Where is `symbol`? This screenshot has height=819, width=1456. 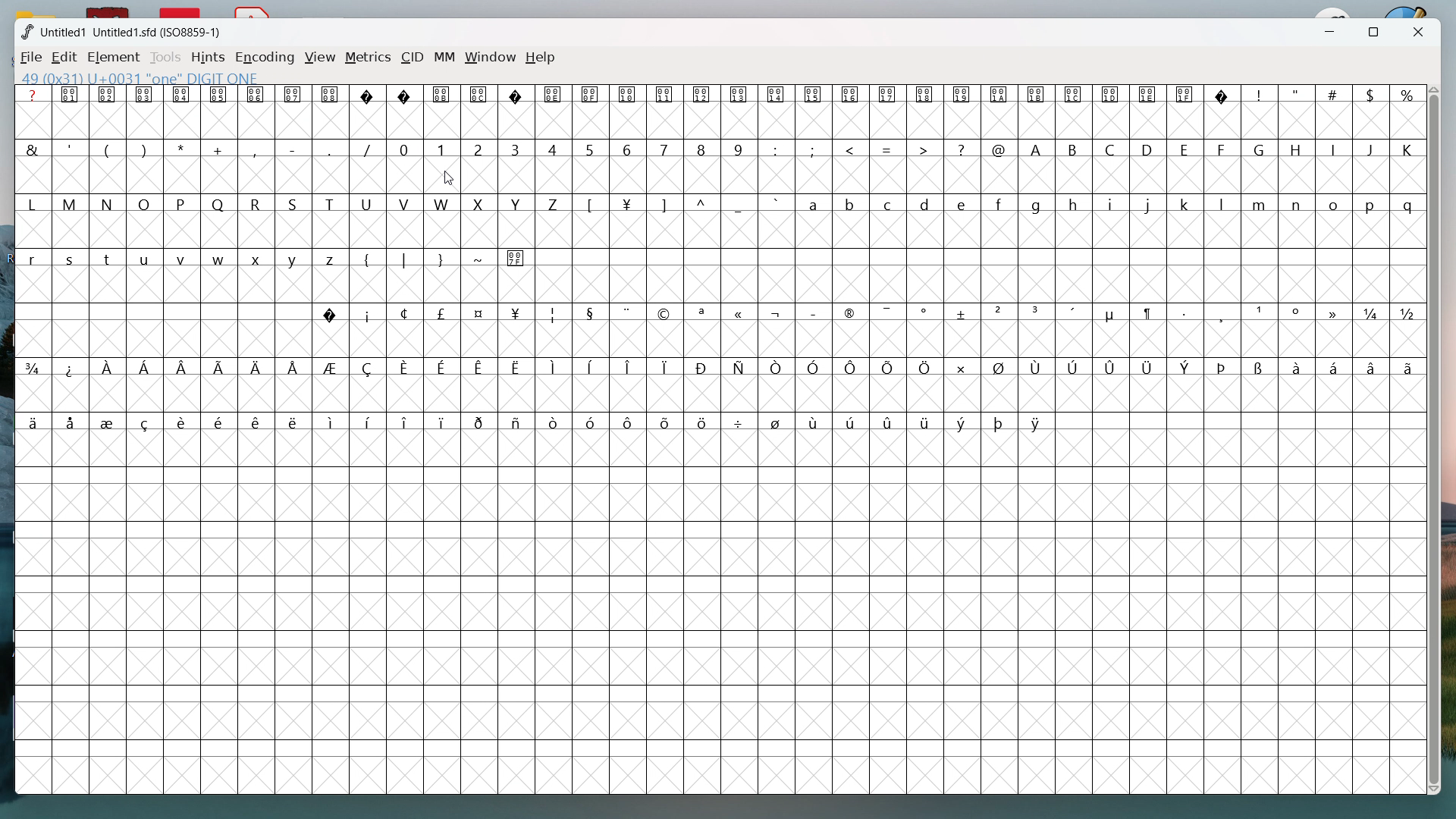 symbol is located at coordinates (331, 93).